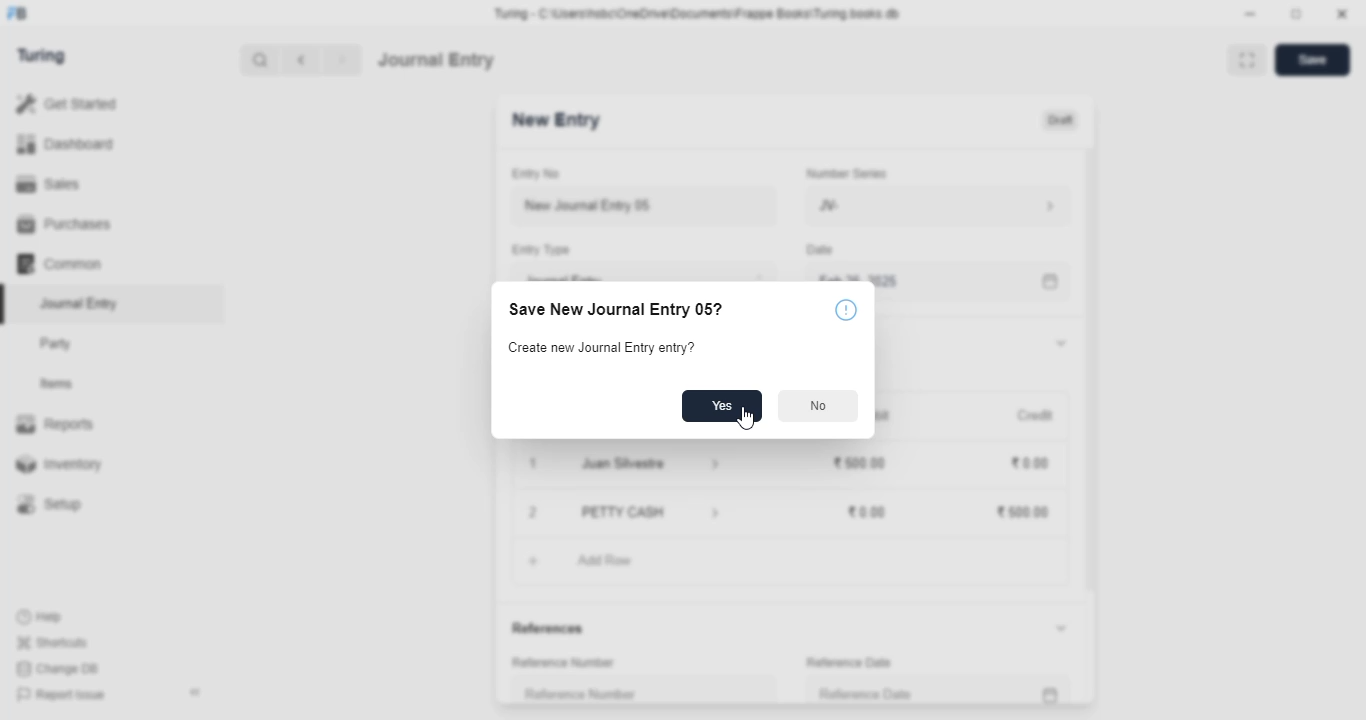 This screenshot has width=1366, height=720. I want to click on reference number, so click(563, 662).